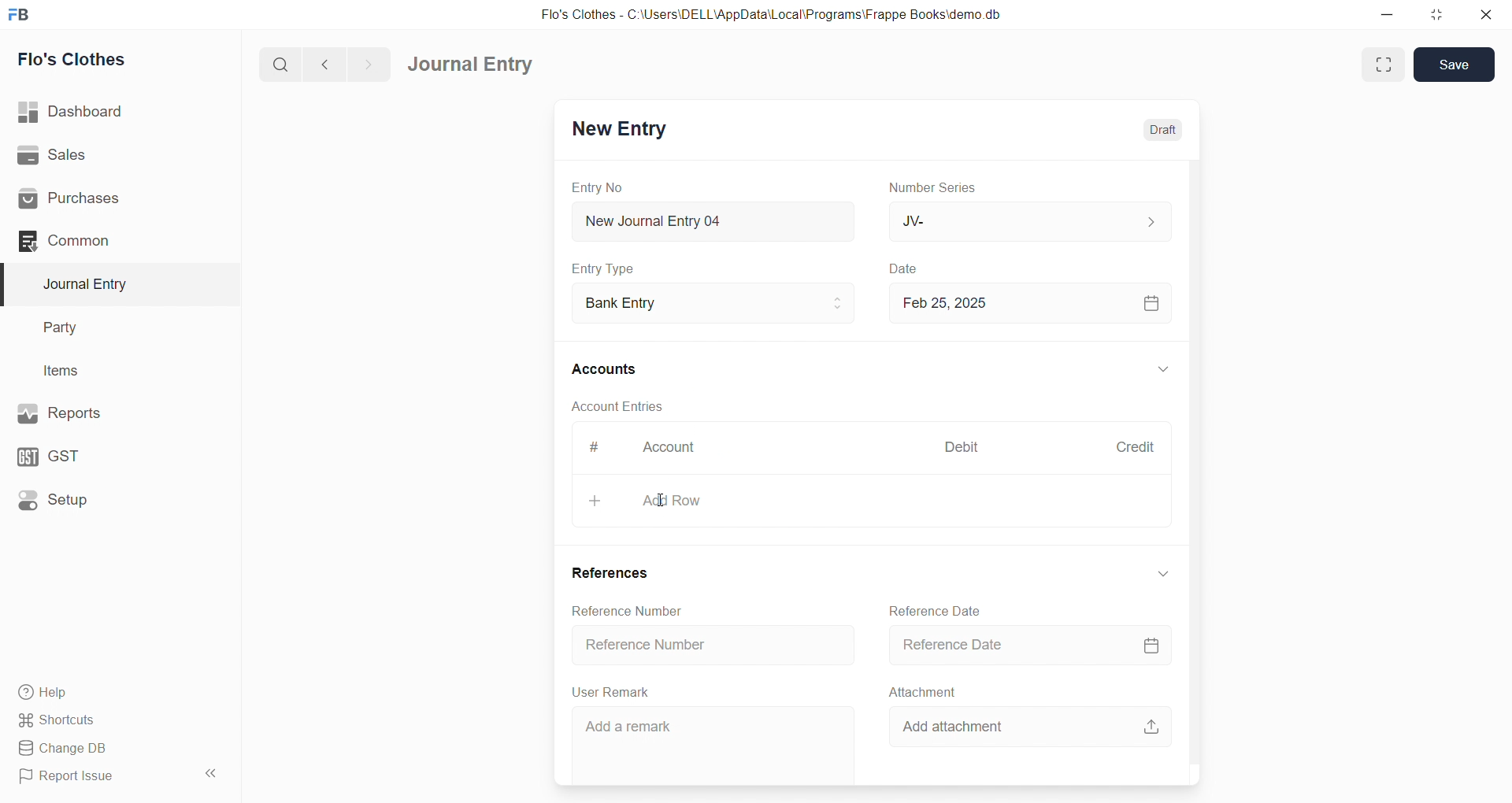 The height and width of the screenshot is (803, 1512). What do you see at coordinates (661, 500) in the screenshot?
I see `cursor` at bounding box center [661, 500].